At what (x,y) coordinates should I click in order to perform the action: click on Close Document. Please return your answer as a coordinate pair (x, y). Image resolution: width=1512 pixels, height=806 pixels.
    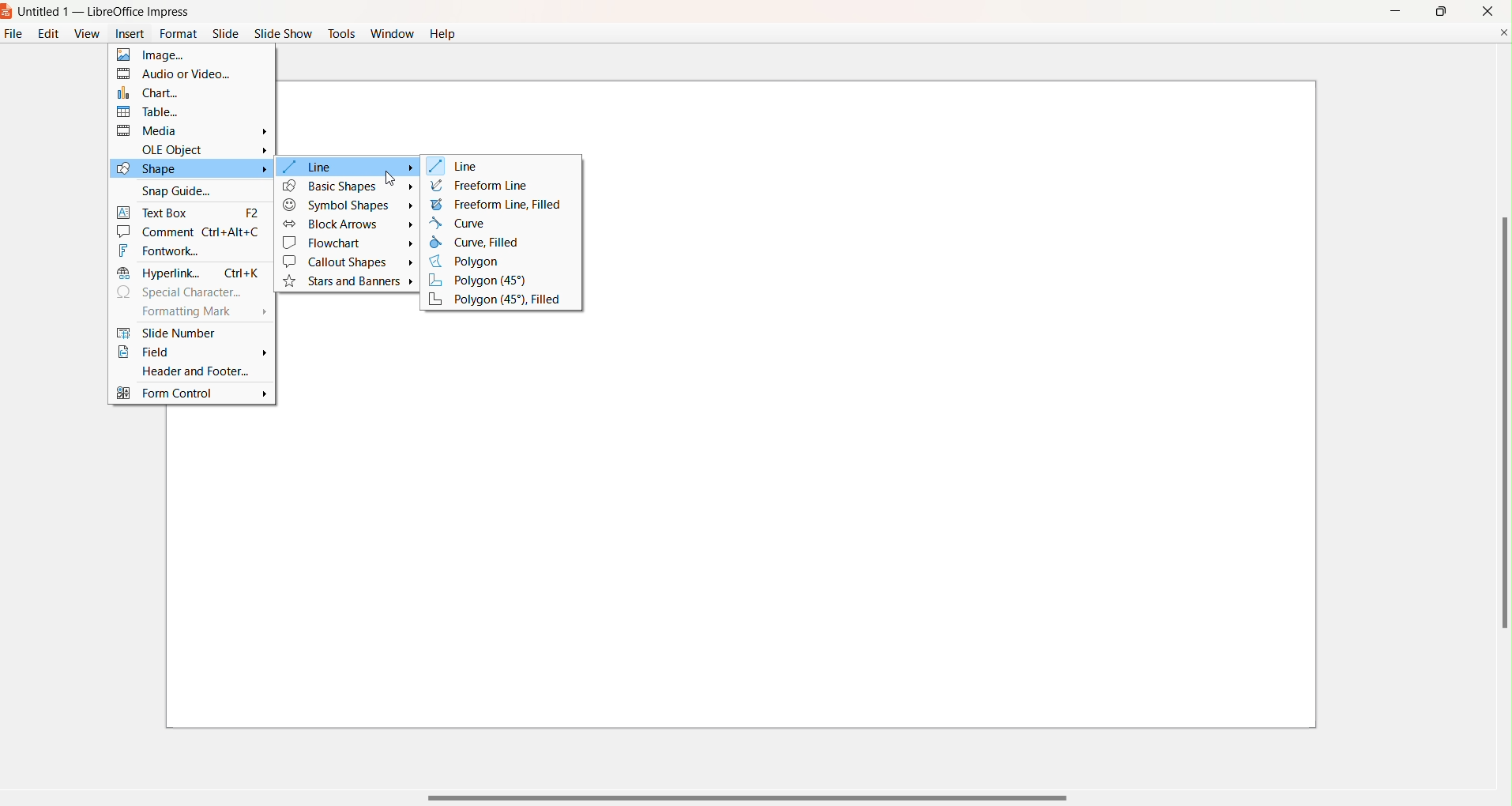
    Looking at the image, I should click on (1503, 32).